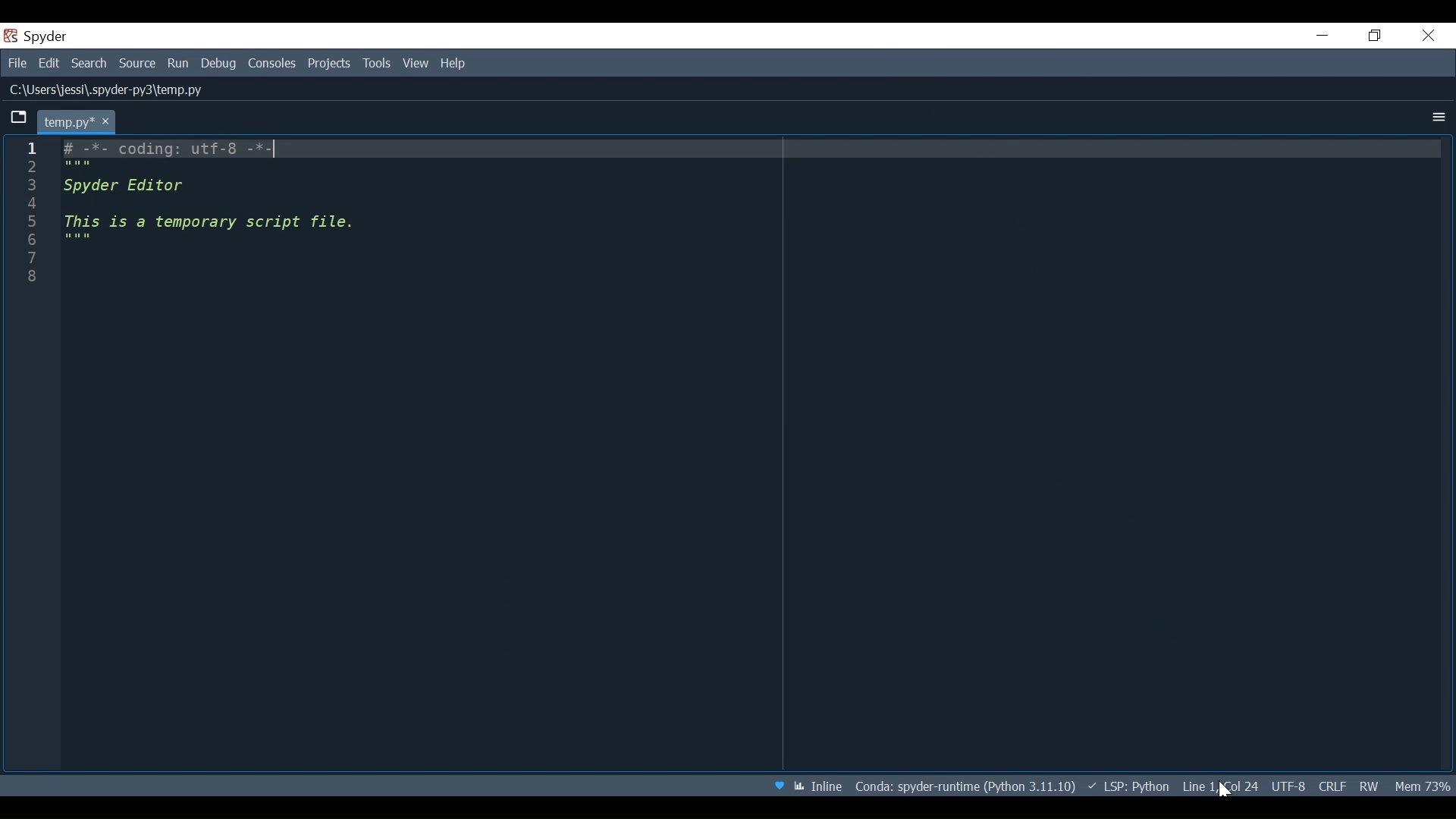 The width and height of the screenshot is (1456, 819). I want to click on View, so click(416, 64).